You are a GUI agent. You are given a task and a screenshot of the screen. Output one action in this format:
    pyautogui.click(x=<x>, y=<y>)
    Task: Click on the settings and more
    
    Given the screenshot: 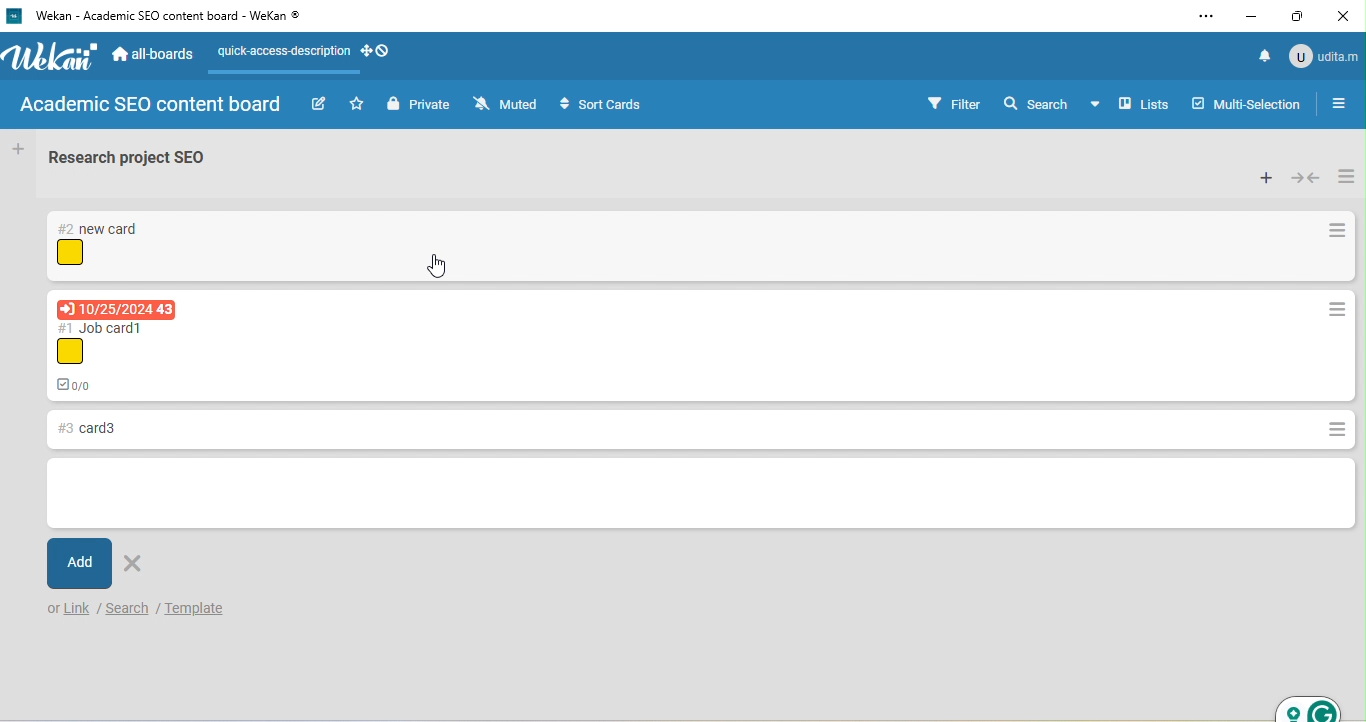 What is the action you would take?
    pyautogui.click(x=1205, y=17)
    